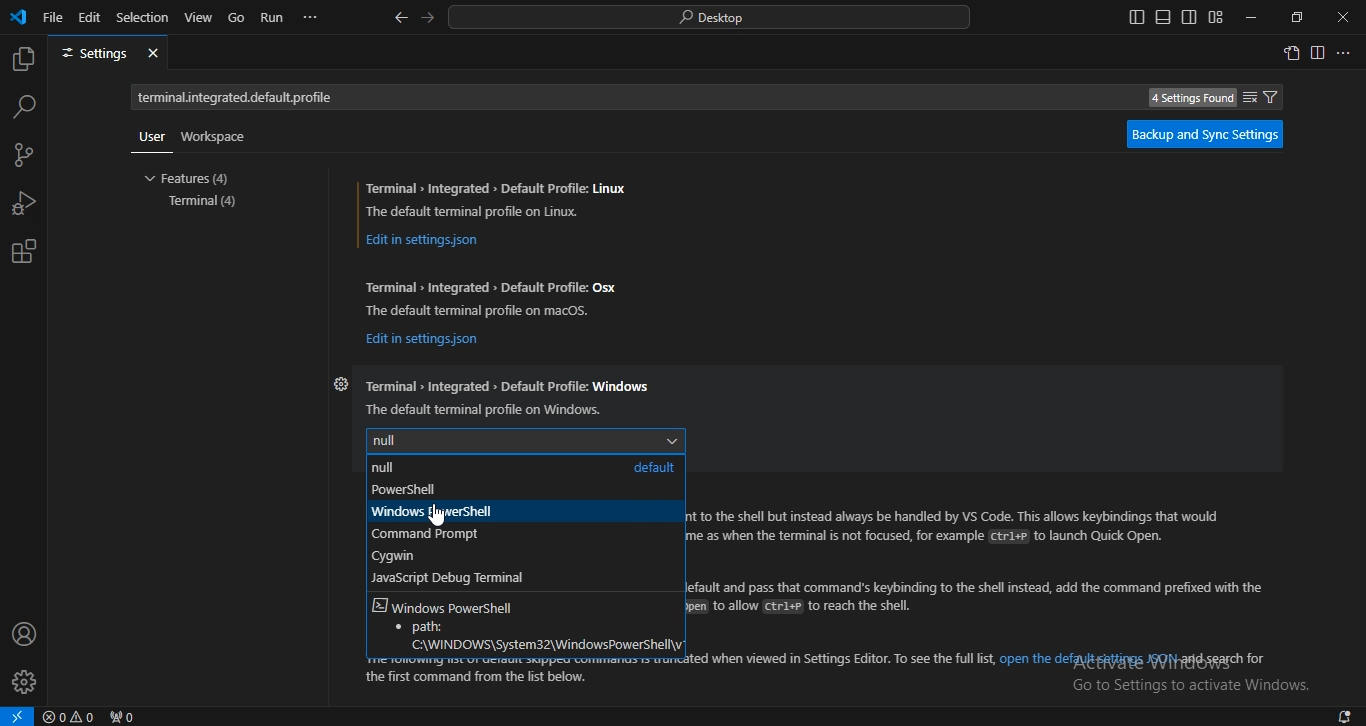 Image resolution: width=1366 pixels, height=726 pixels. I want to click on Search settings, so click(724, 96).